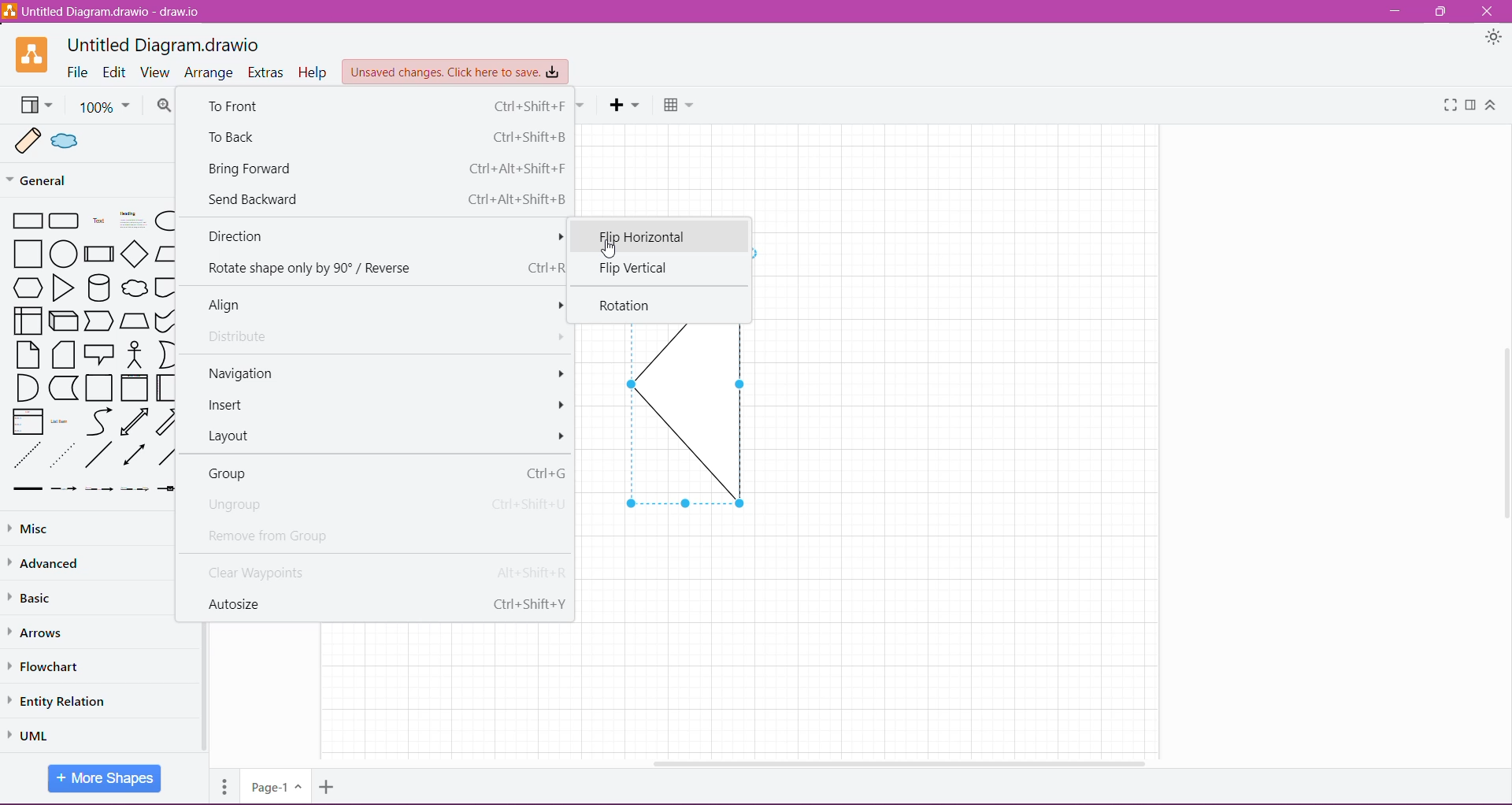 This screenshot has height=805, width=1512. I want to click on View, so click(157, 72).